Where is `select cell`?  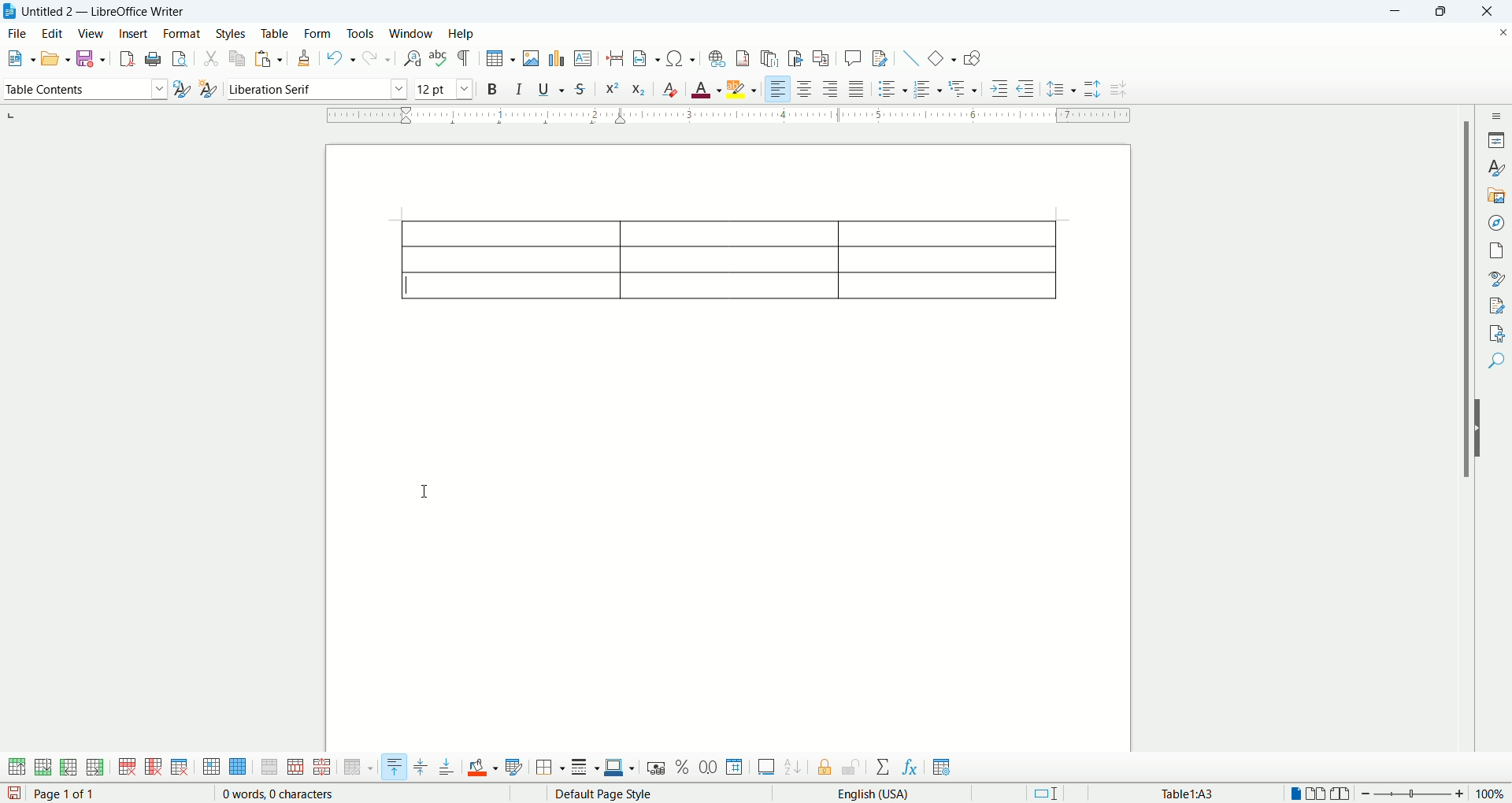
select cell is located at coordinates (210, 766).